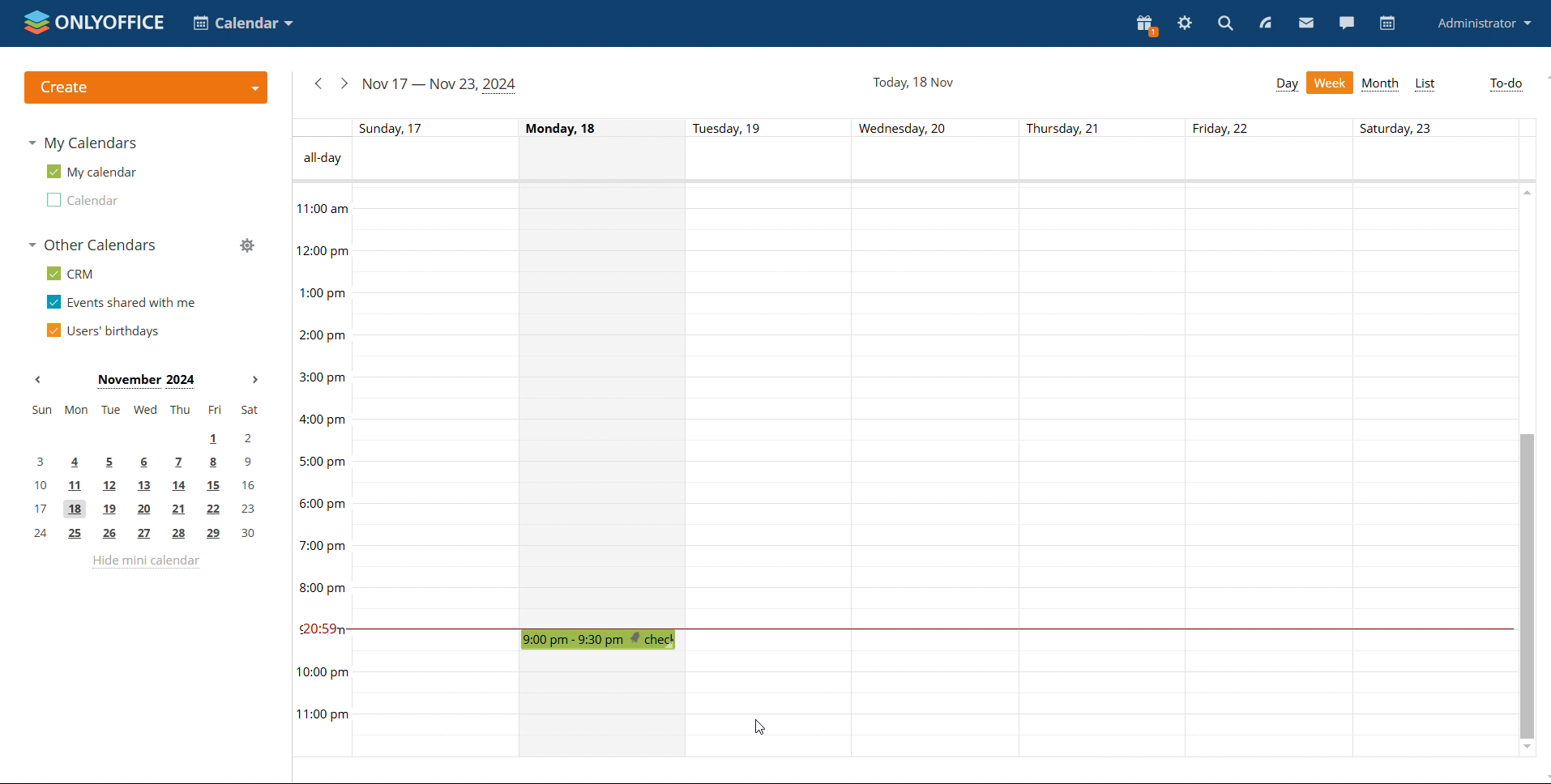 Image resolution: width=1551 pixels, height=784 pixels. What do you see at coordinates (914, 83) in the screenshot?
I see `current date` at bounding box center [914, 83].